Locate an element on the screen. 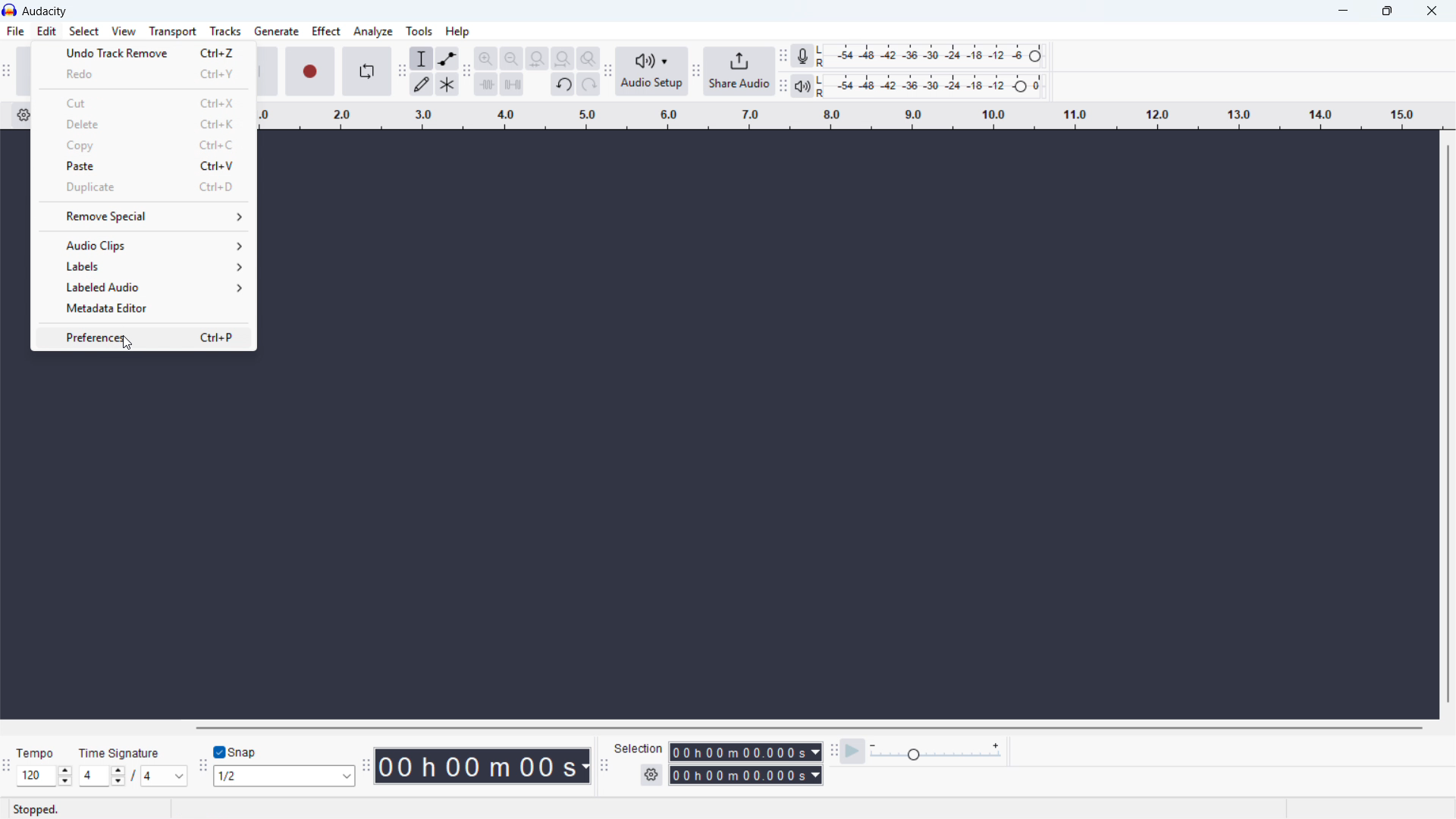  selection tool is located at coordinates (422, 58).